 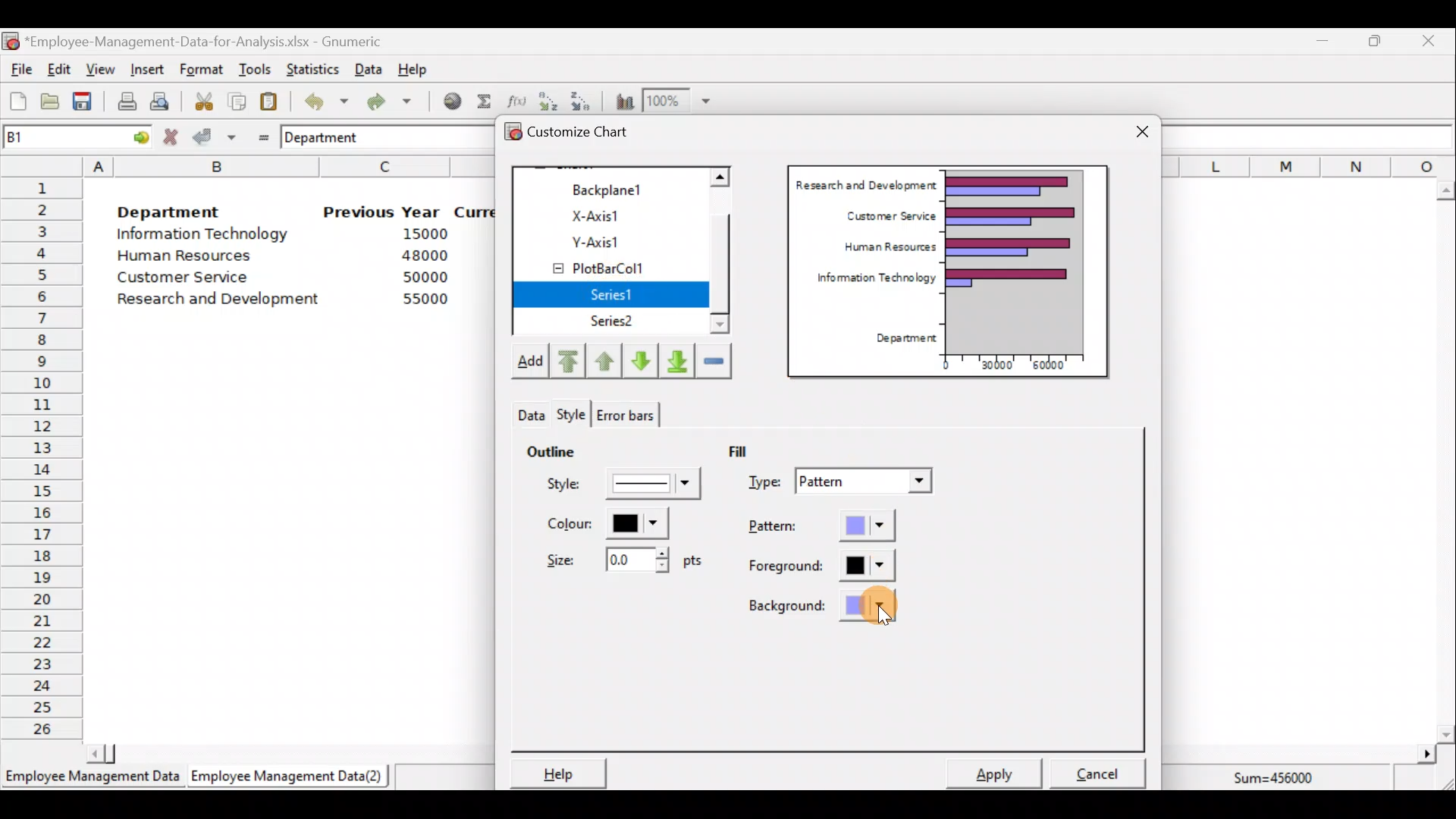 I want to click on Move up, so click(x=604, y=359).